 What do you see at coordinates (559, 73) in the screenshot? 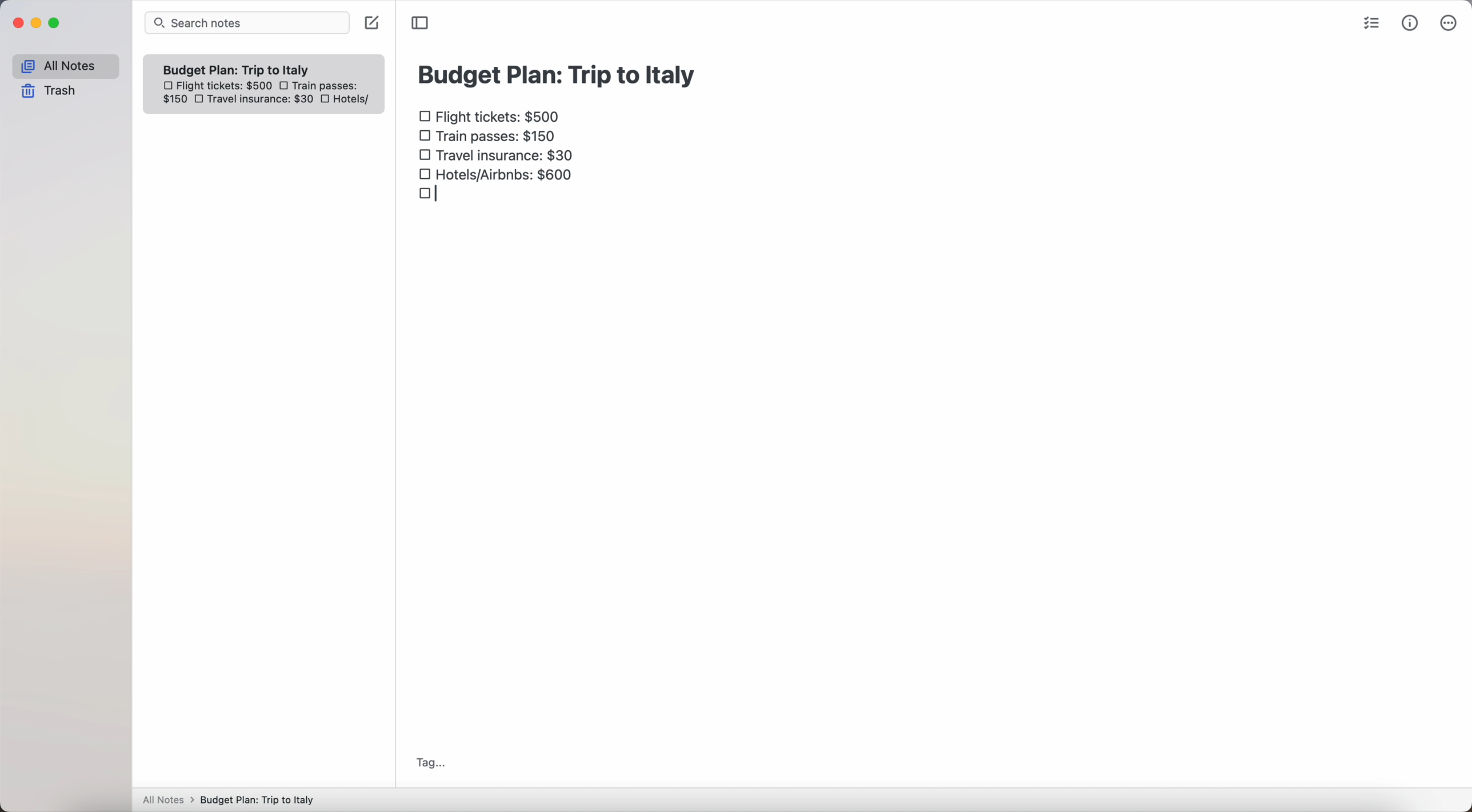
I see `budget plan: trip to Italy` at bounding box center [559, 73].